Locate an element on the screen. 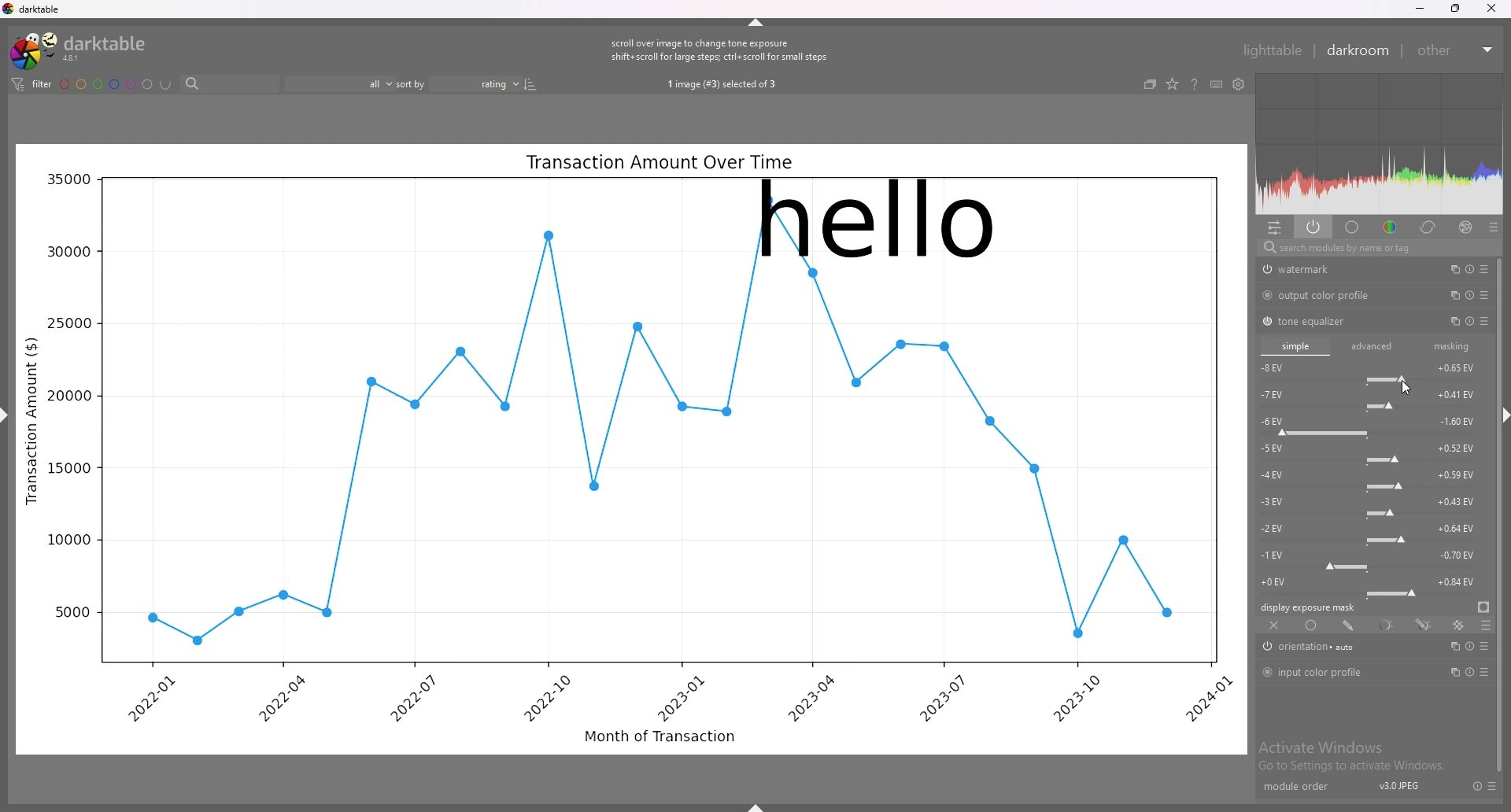 This screenshot has width=1511, height=812. -7 EV force is located at coordinates (1369, 398).